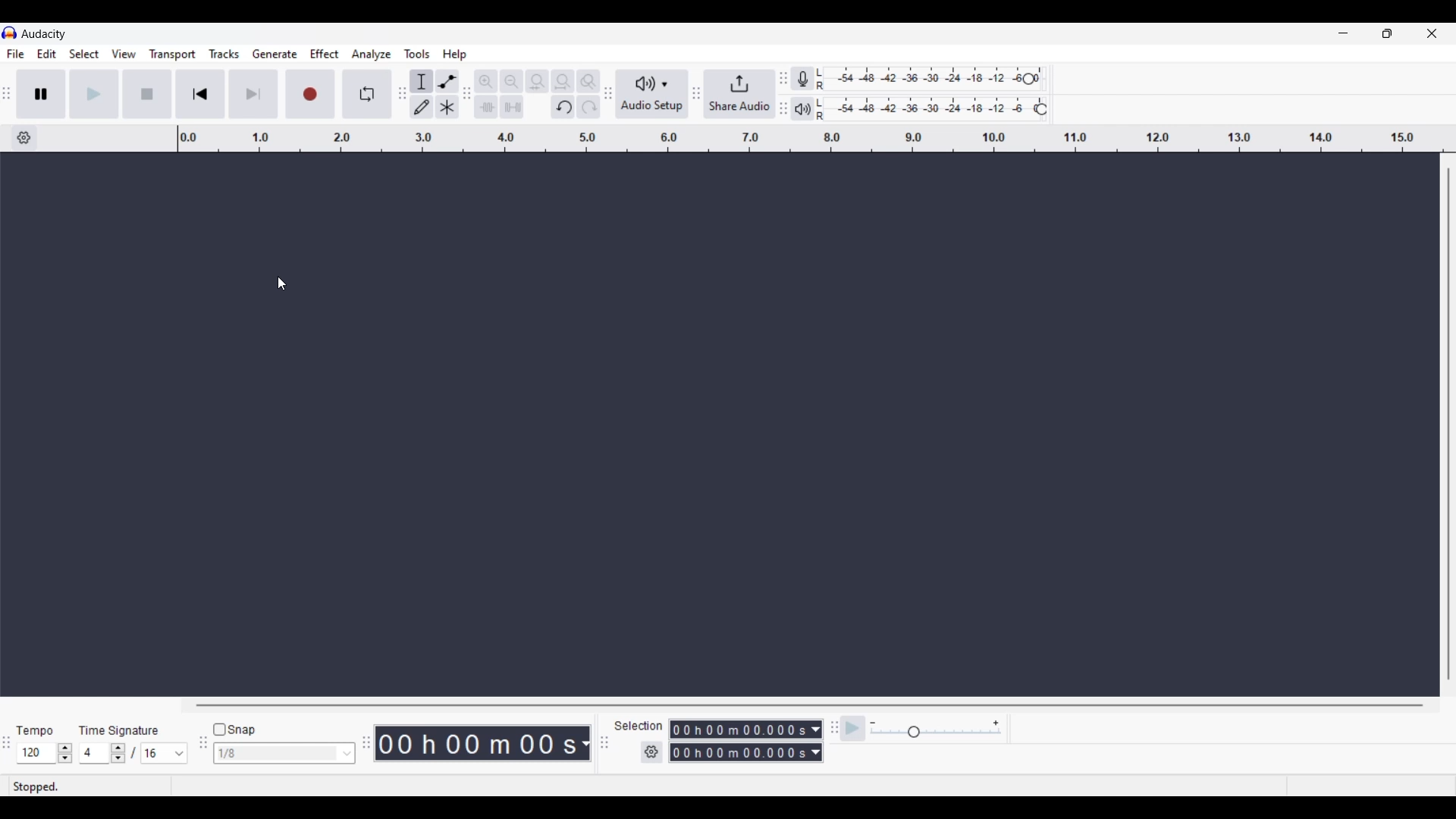 Image resolution: width=1456 pixels, height=819 pixels. I want to click on Selected time signature, so click(155, 753).